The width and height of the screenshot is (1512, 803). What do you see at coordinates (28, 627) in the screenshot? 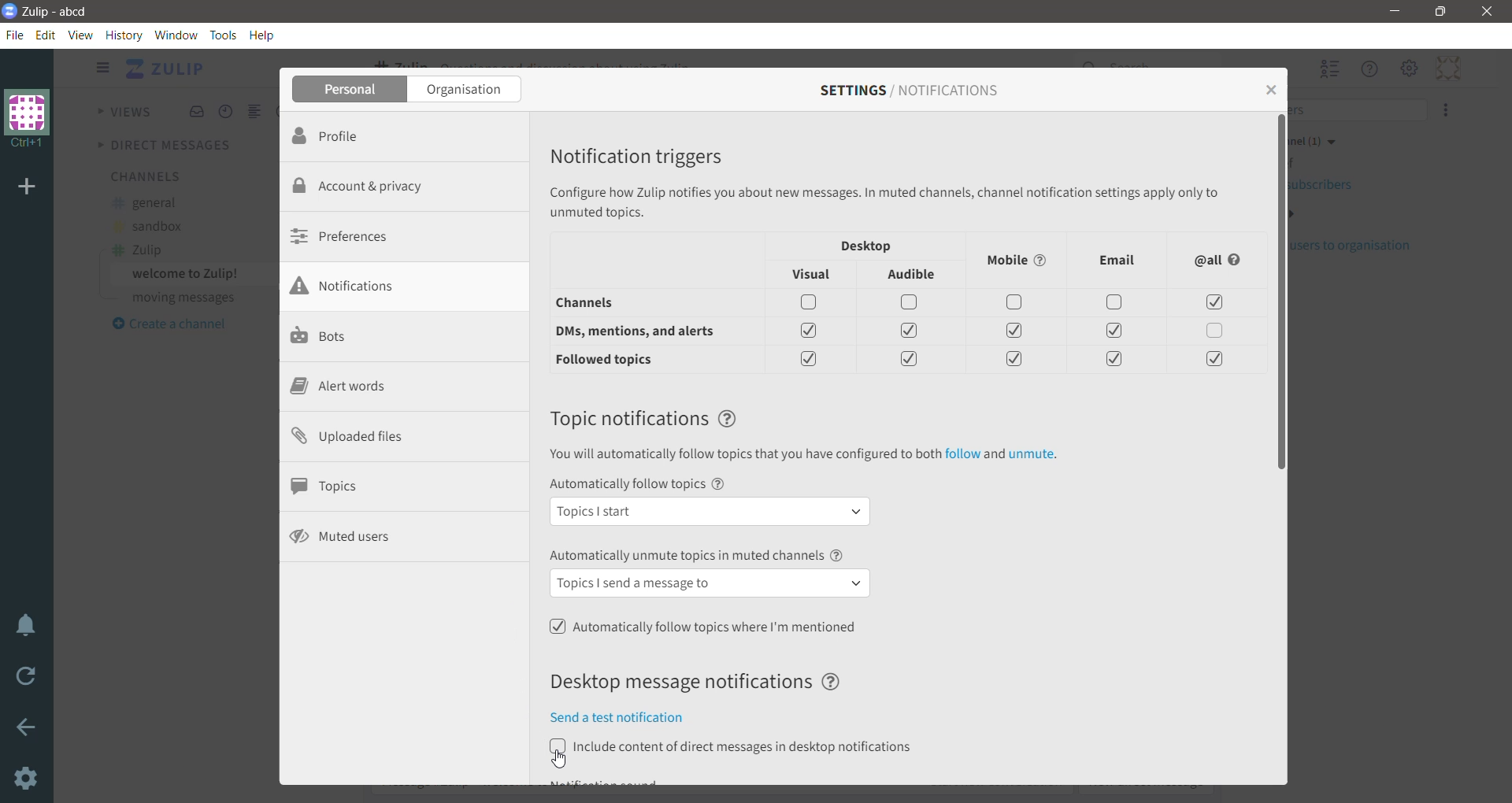
I see `Enable Do Not Disturb` at bounding box center [28, 627].